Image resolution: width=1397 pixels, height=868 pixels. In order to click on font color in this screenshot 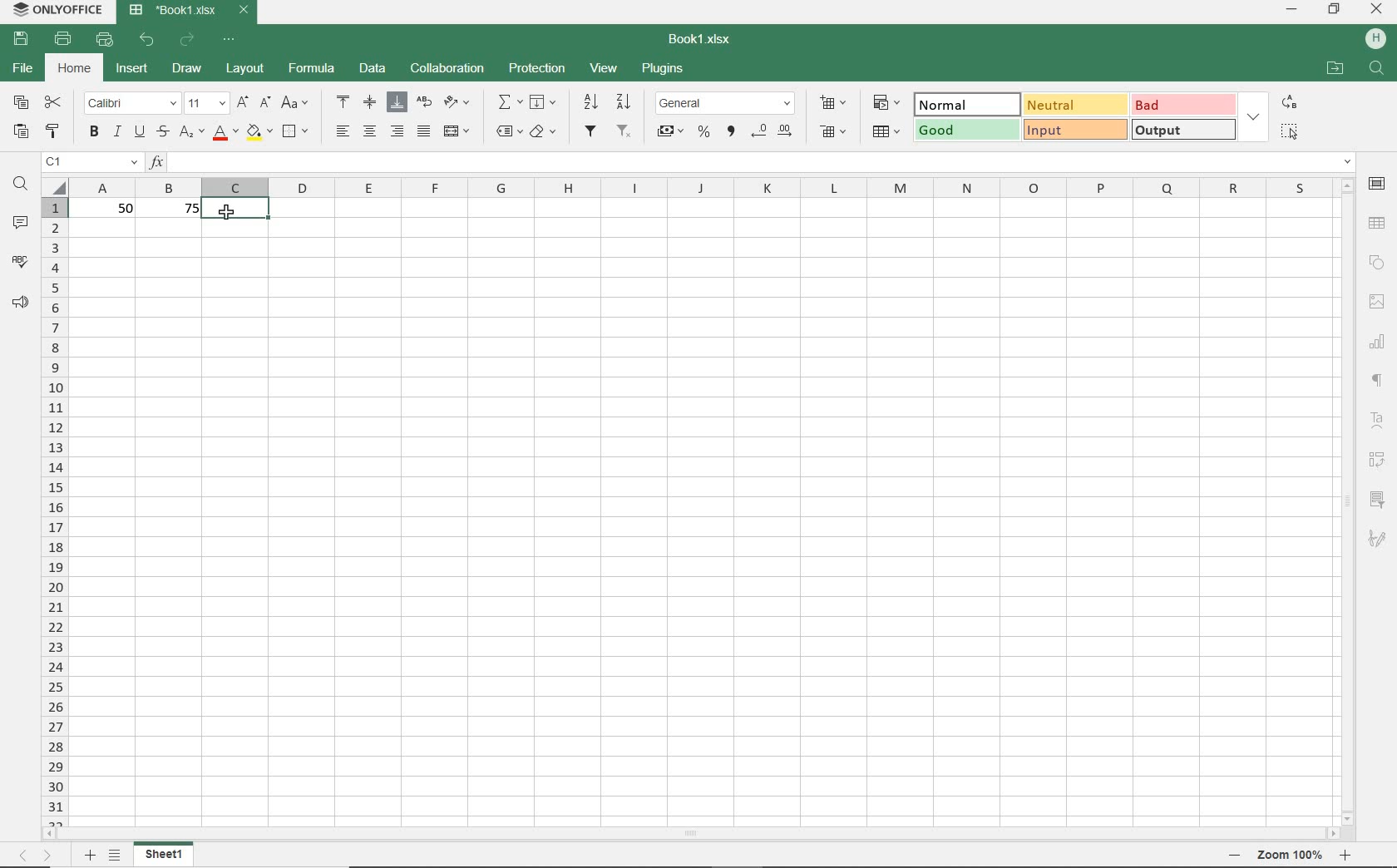, I will do `click(223, 132)`.